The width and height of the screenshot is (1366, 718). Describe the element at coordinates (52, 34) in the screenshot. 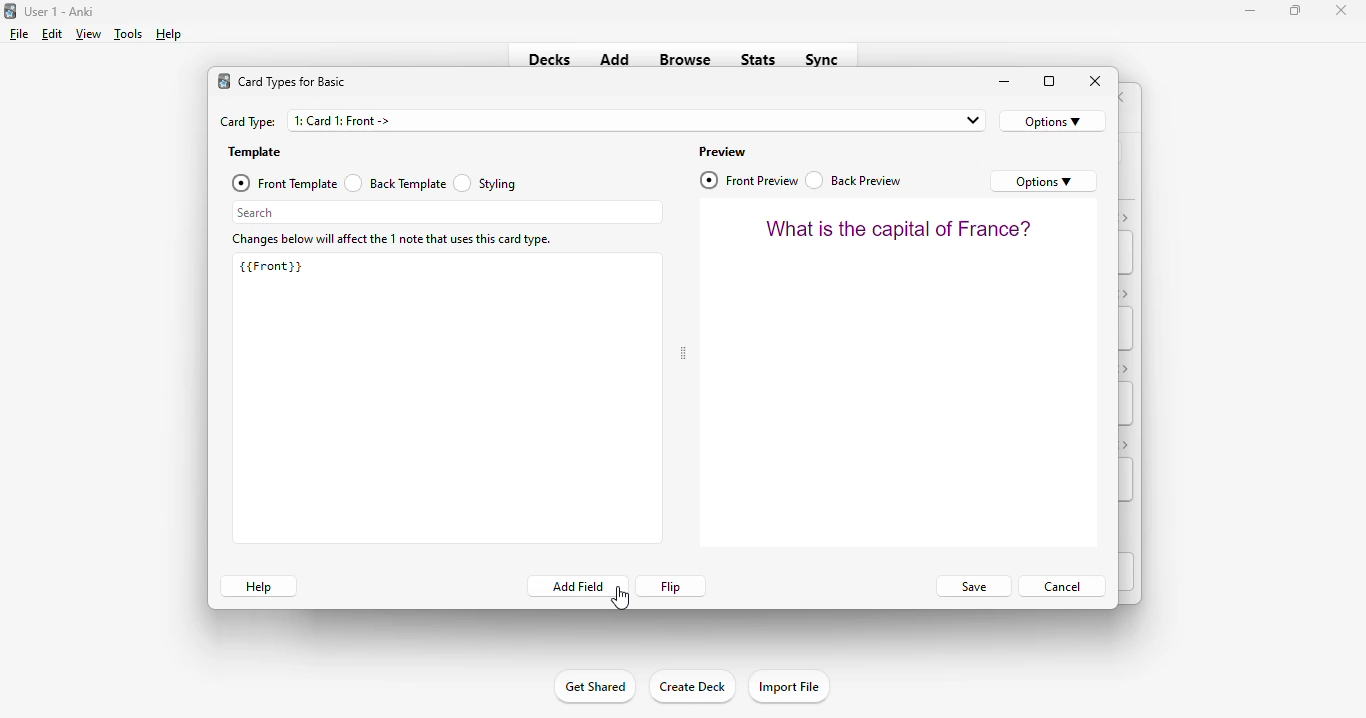

I see `edit` at that location.